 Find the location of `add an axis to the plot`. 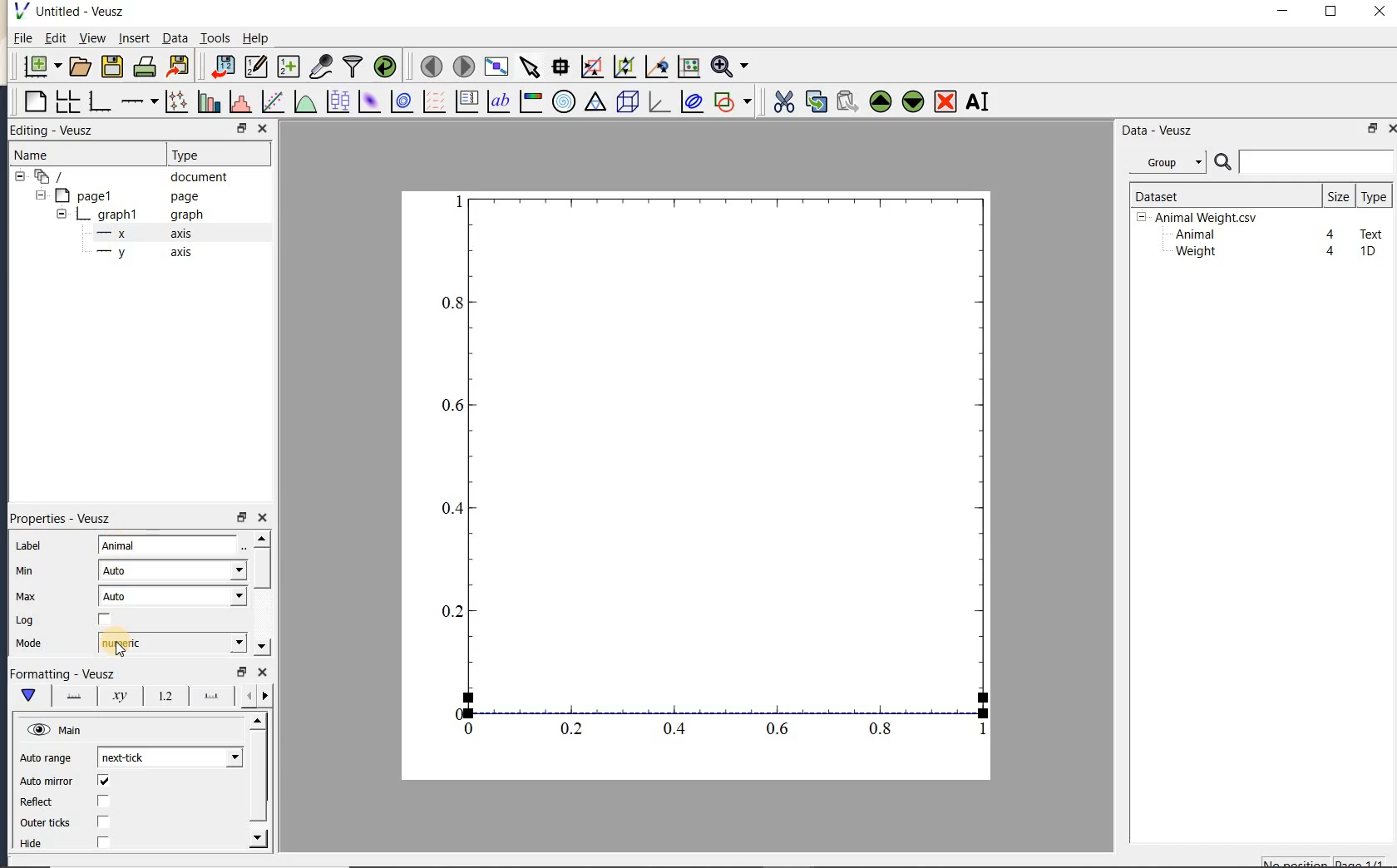

add an axis to the plot is located at coordinates (139, 101).